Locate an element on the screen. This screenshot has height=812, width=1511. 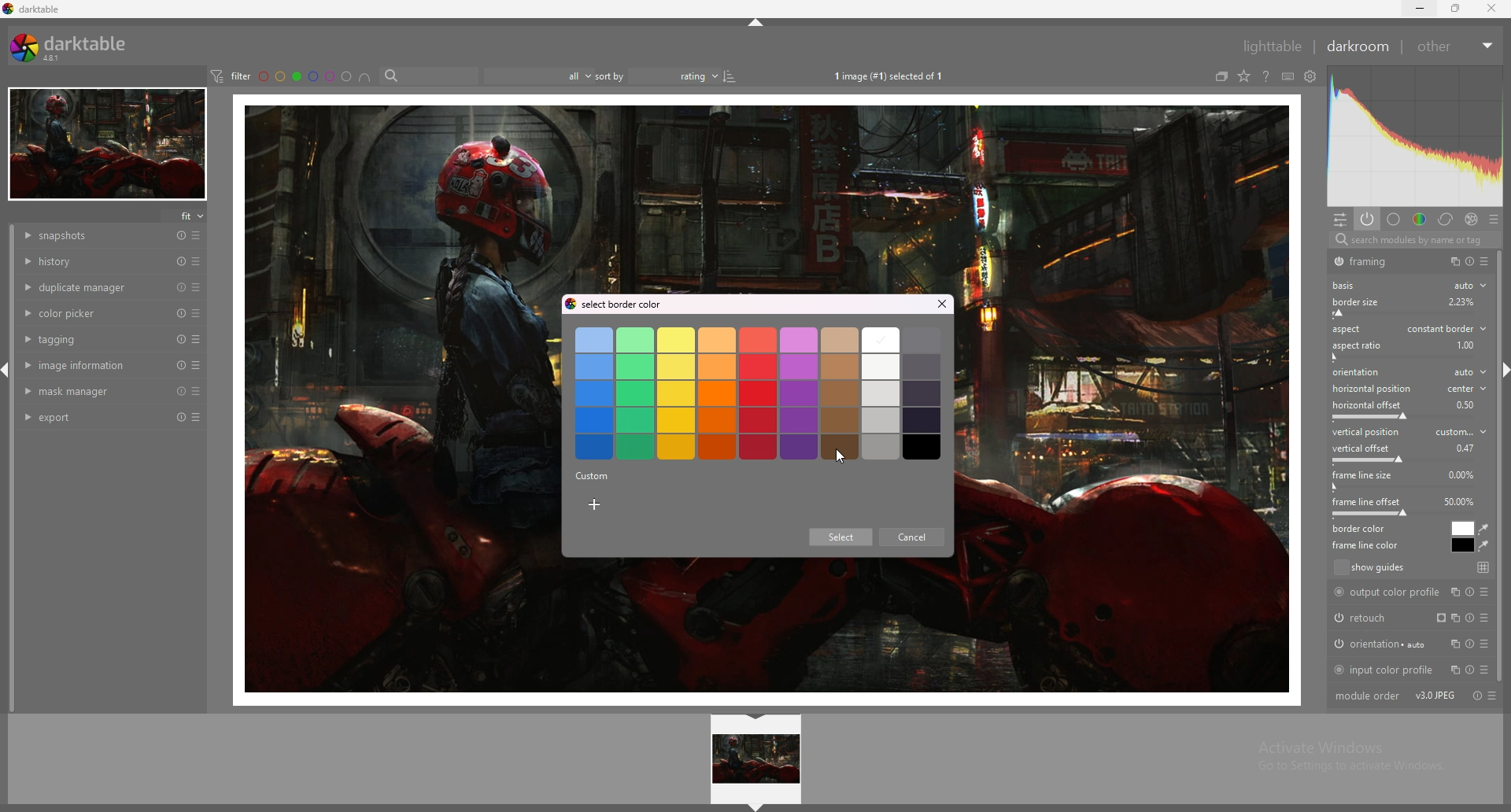
show active modules is located at coordinates (1365, 219).